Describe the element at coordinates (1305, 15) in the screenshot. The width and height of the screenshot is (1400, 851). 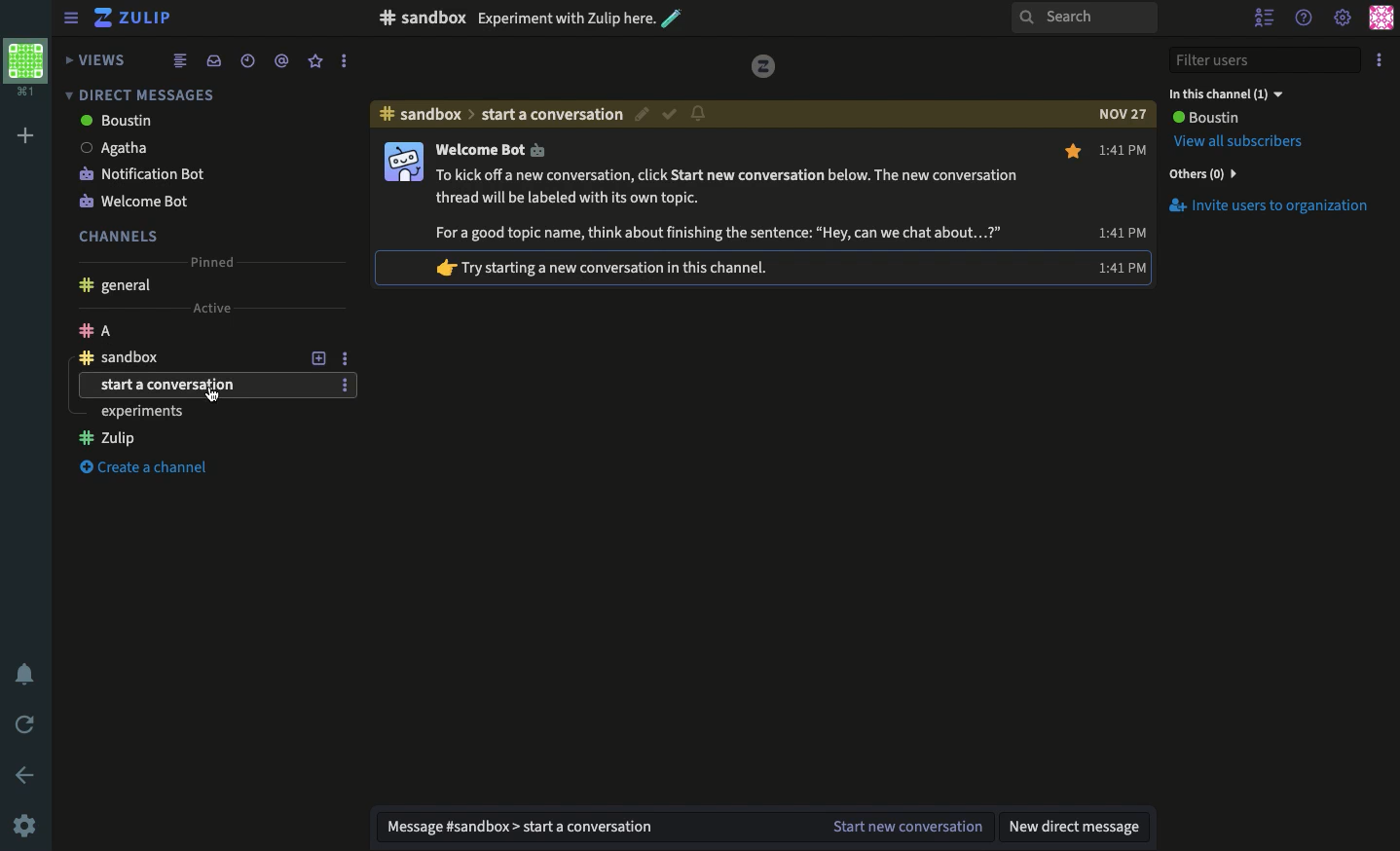
I see `Help` at that location.